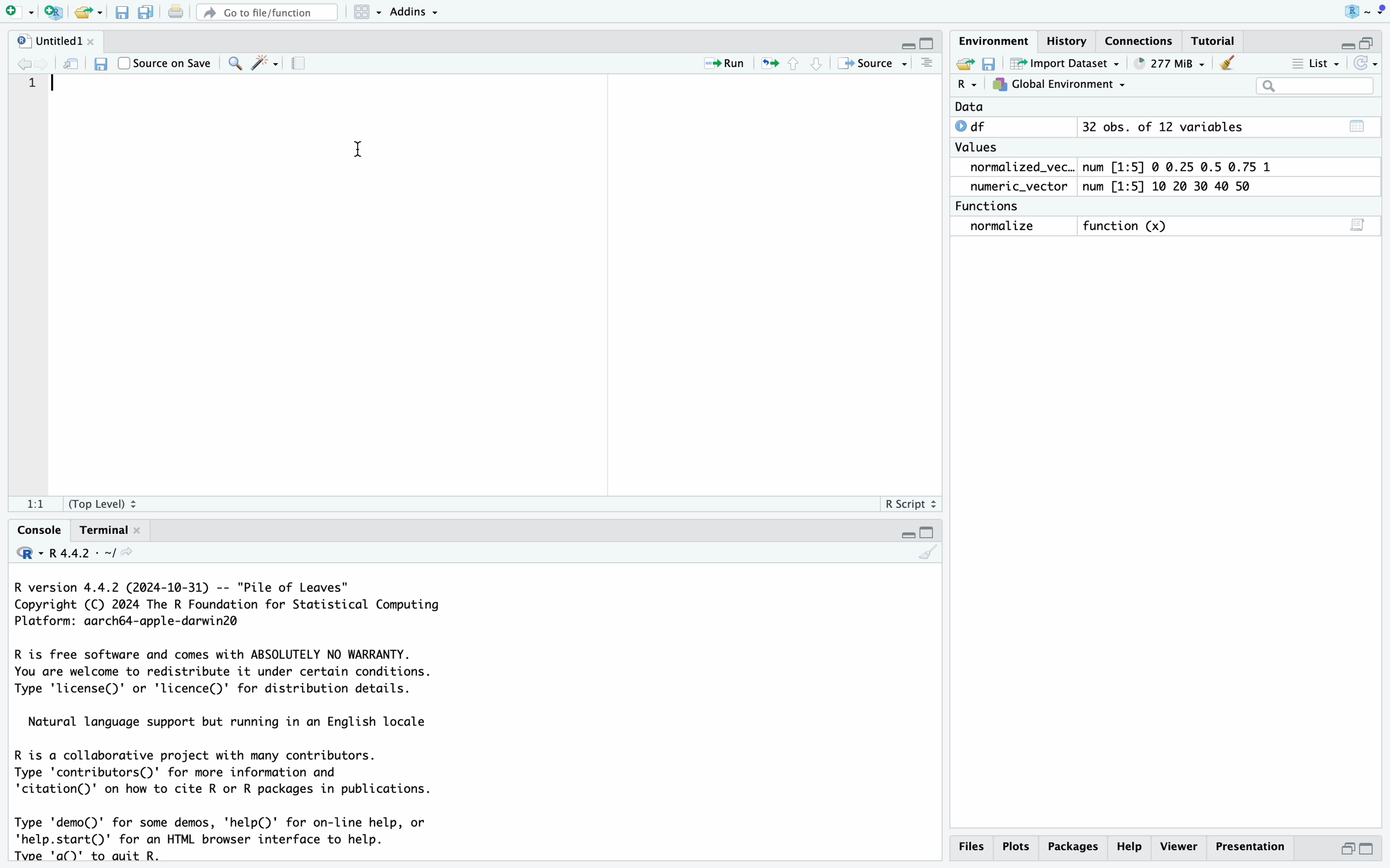  What do you see at coordinates (1185, 165) in the screenshot?
I see `num [1:5] © 0.25 0.5 0.75 1` at bounding box center [1185, 165].